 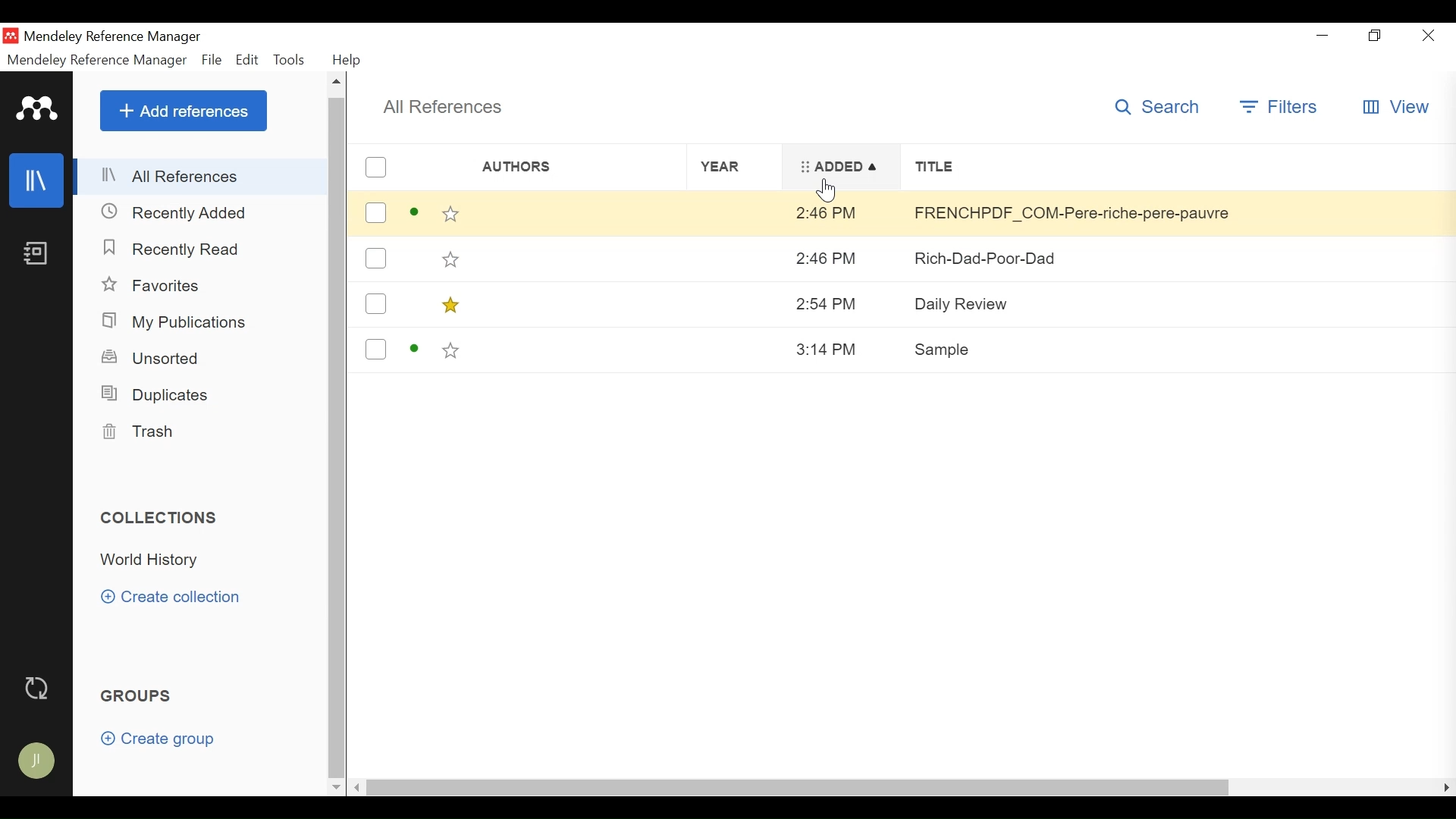 What do you see at coordinates (1373, 35) in the screenshot?
I see `Restore` at bounding box center [1373, 35].